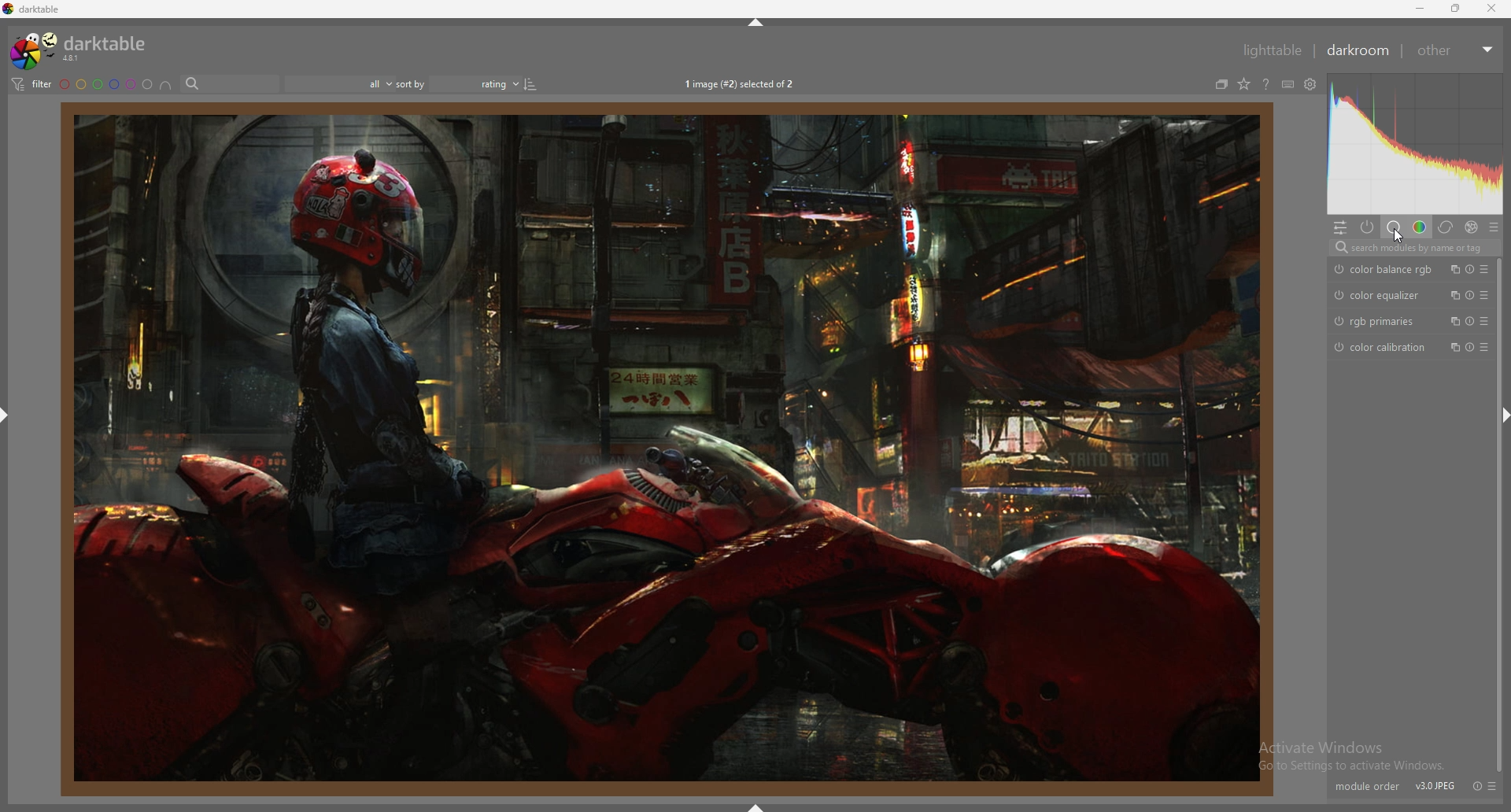 This screenshot has height=812, width=1511. What do you see at coordinates (1434, 784) in the screenshot?
I see `V30IPEG` at bounding box center [1434, 784].